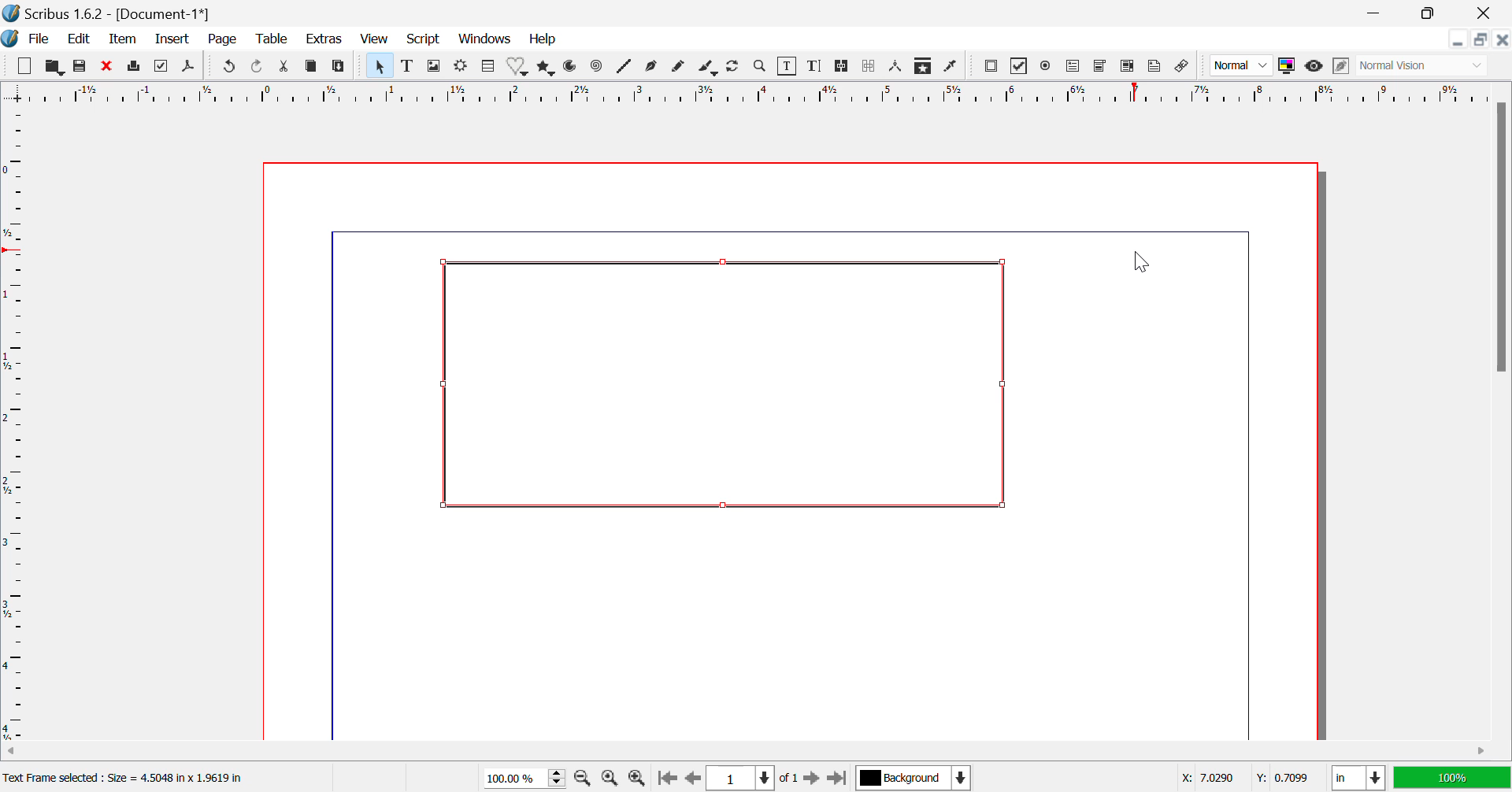 The image size is (1512, 792). Describe the element at coordinates (1074, 68) in the screenshot. I see `Pdf Text Field` at that location.